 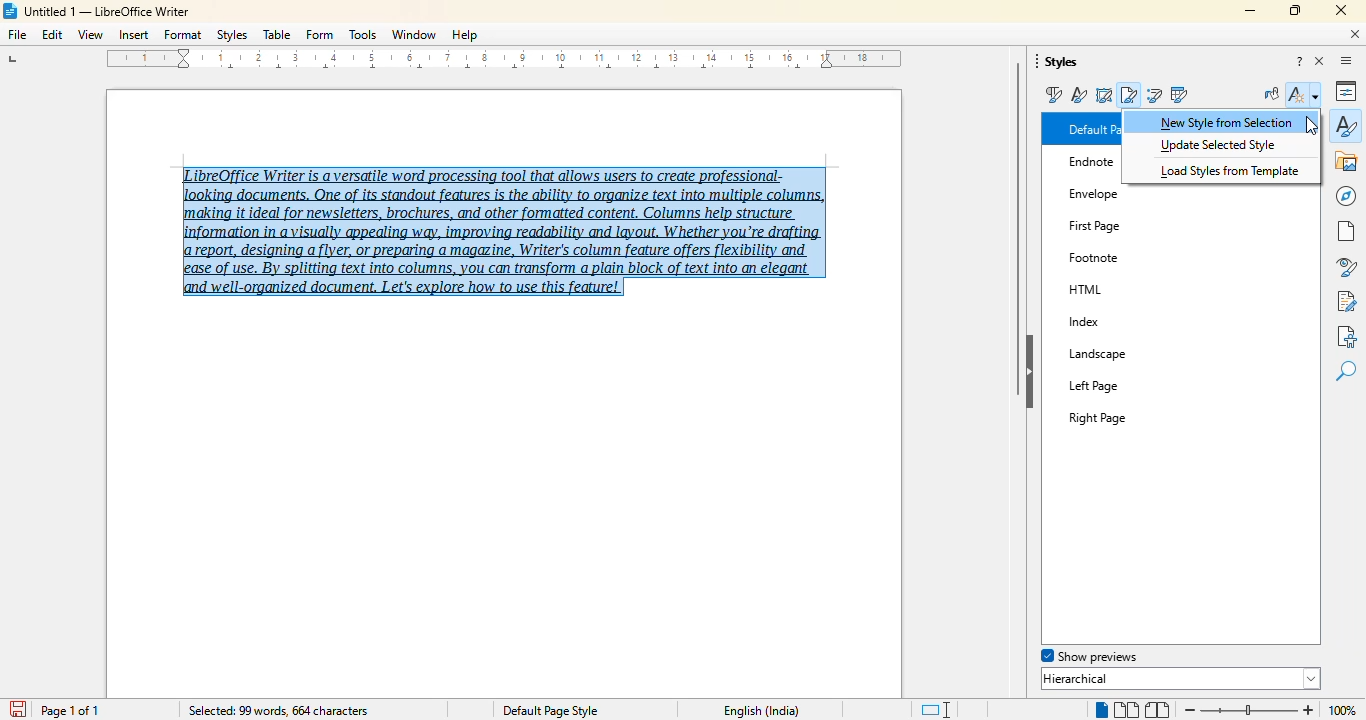 I want to click on manage changes, so click(x=1346, y=301).